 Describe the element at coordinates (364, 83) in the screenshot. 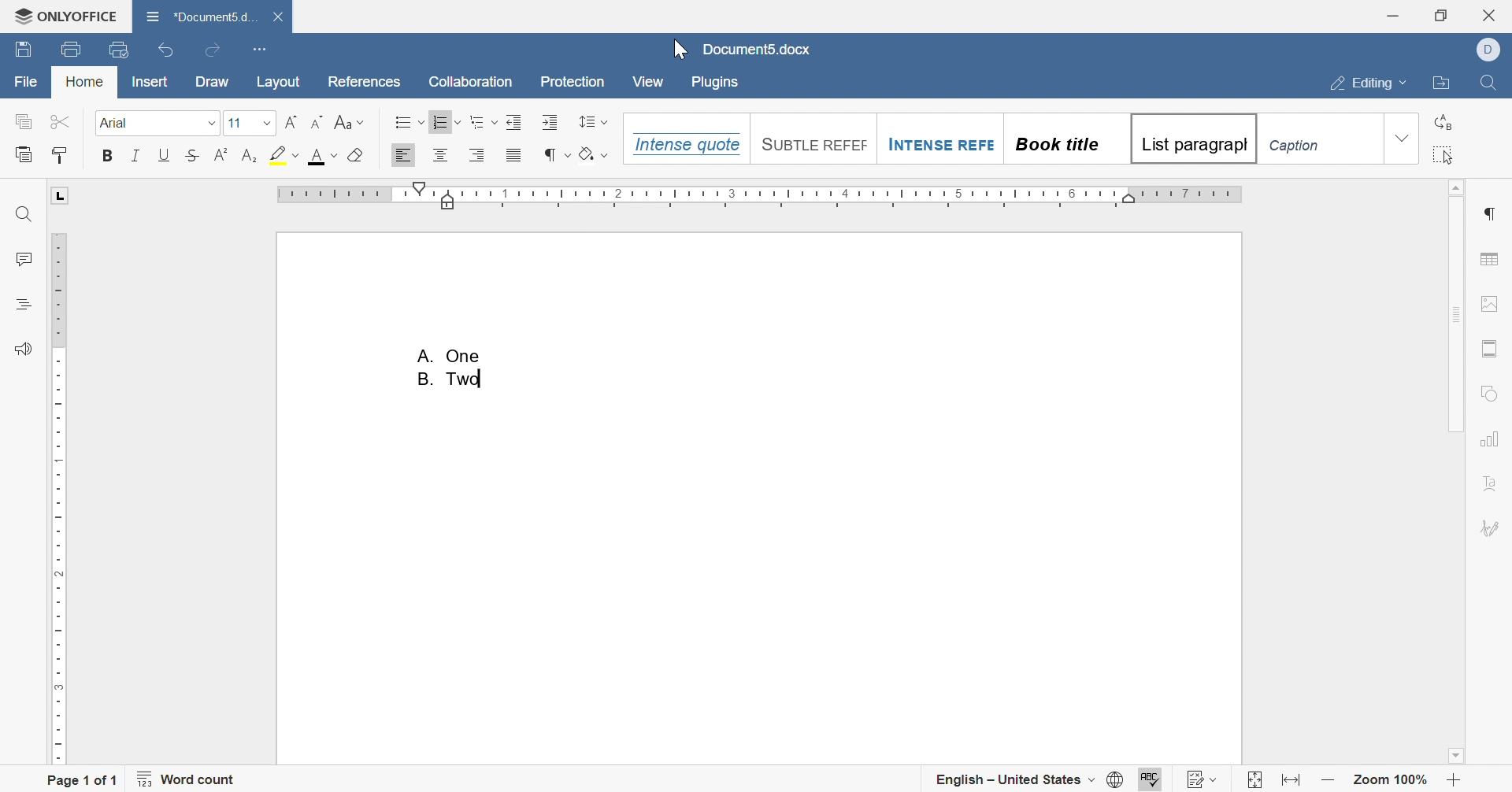

I see `references` at that location.